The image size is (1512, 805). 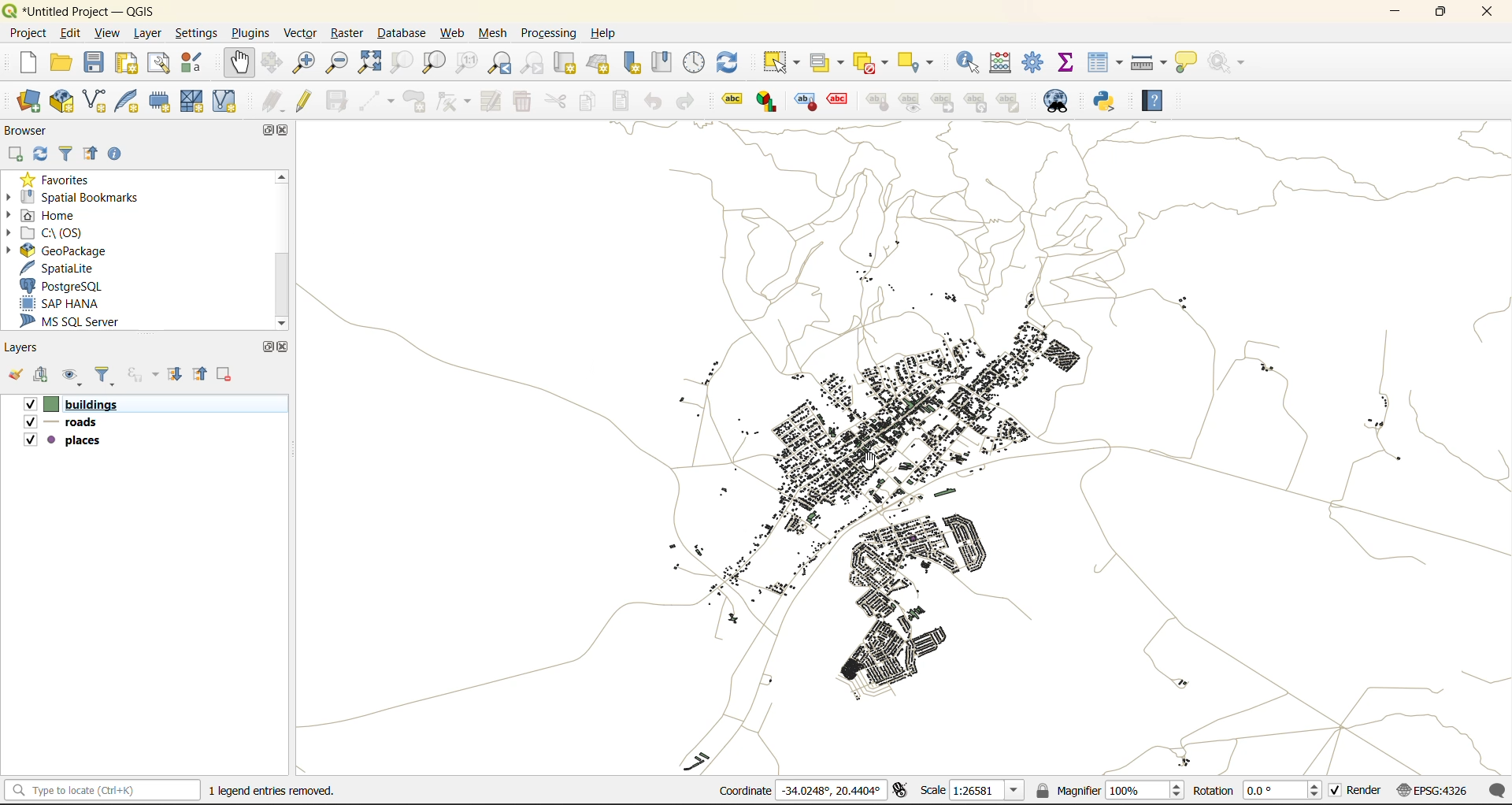 I want to click on new spatial bookmark, so click(x=632, y=65).